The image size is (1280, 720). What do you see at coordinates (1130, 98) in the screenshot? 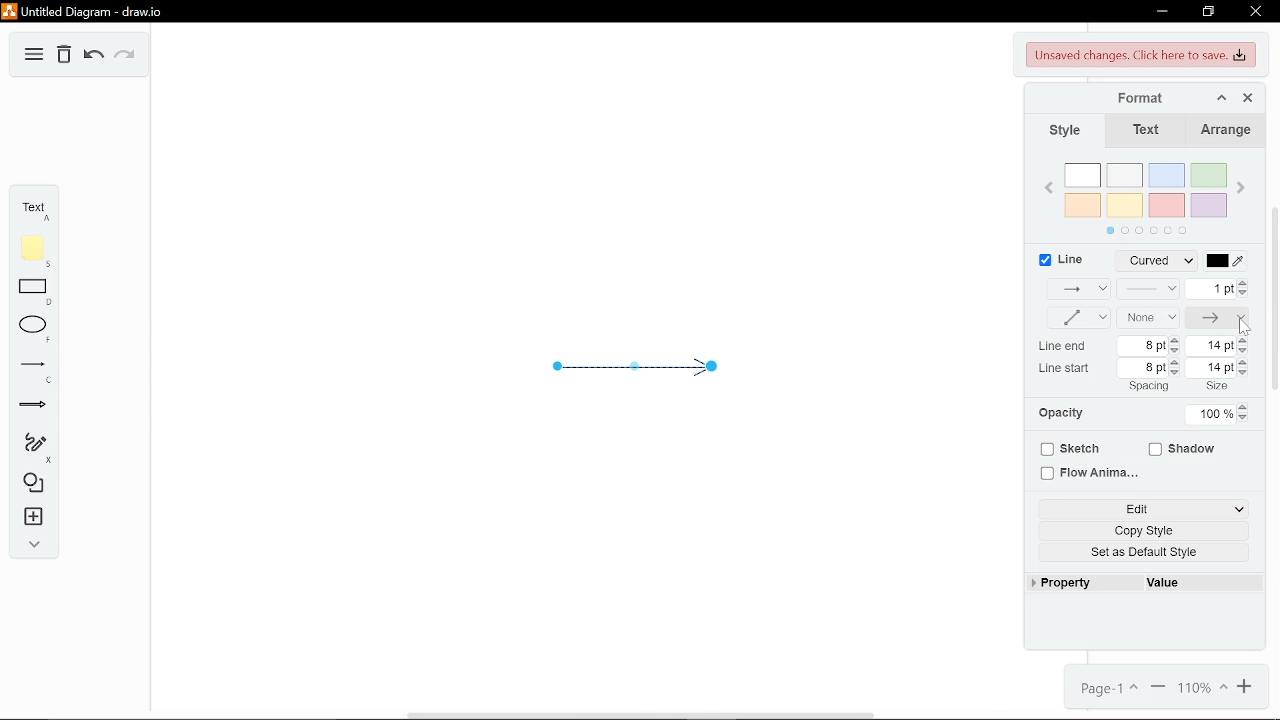
I see `Format` at bounding box center [1130, 98].